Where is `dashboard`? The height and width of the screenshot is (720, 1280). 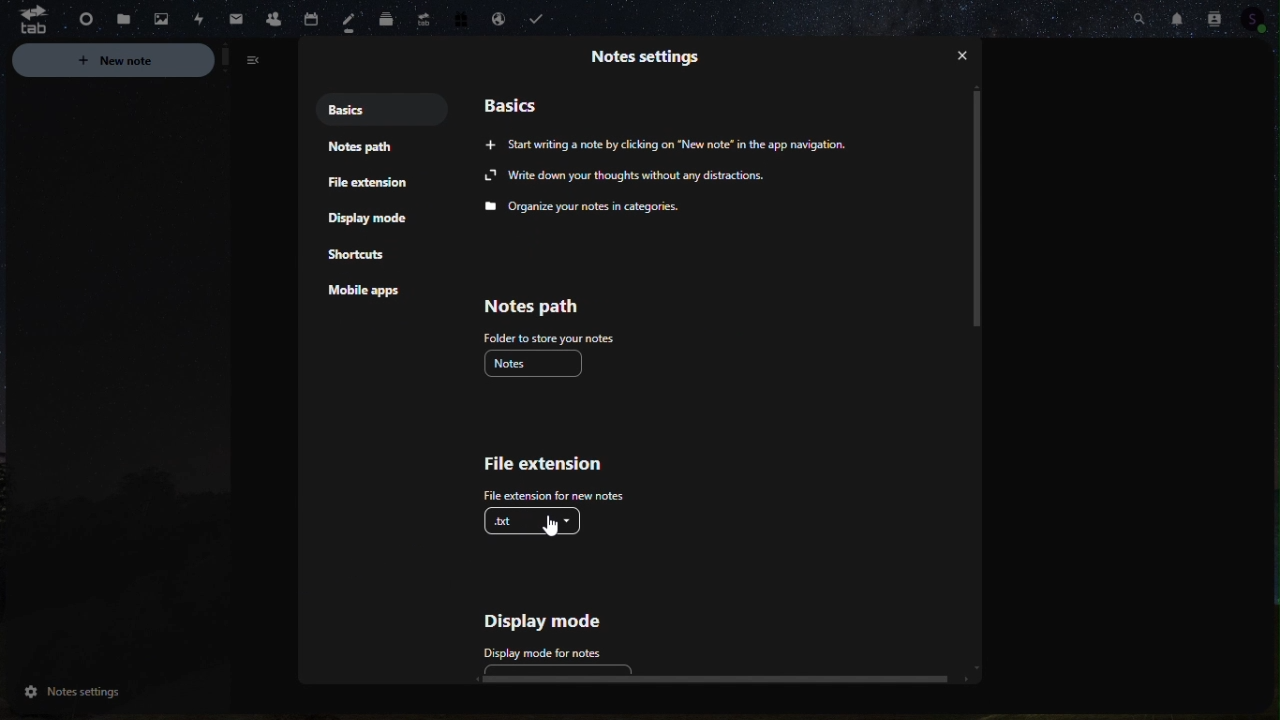 dashboard is located at coordinates (79, 16).